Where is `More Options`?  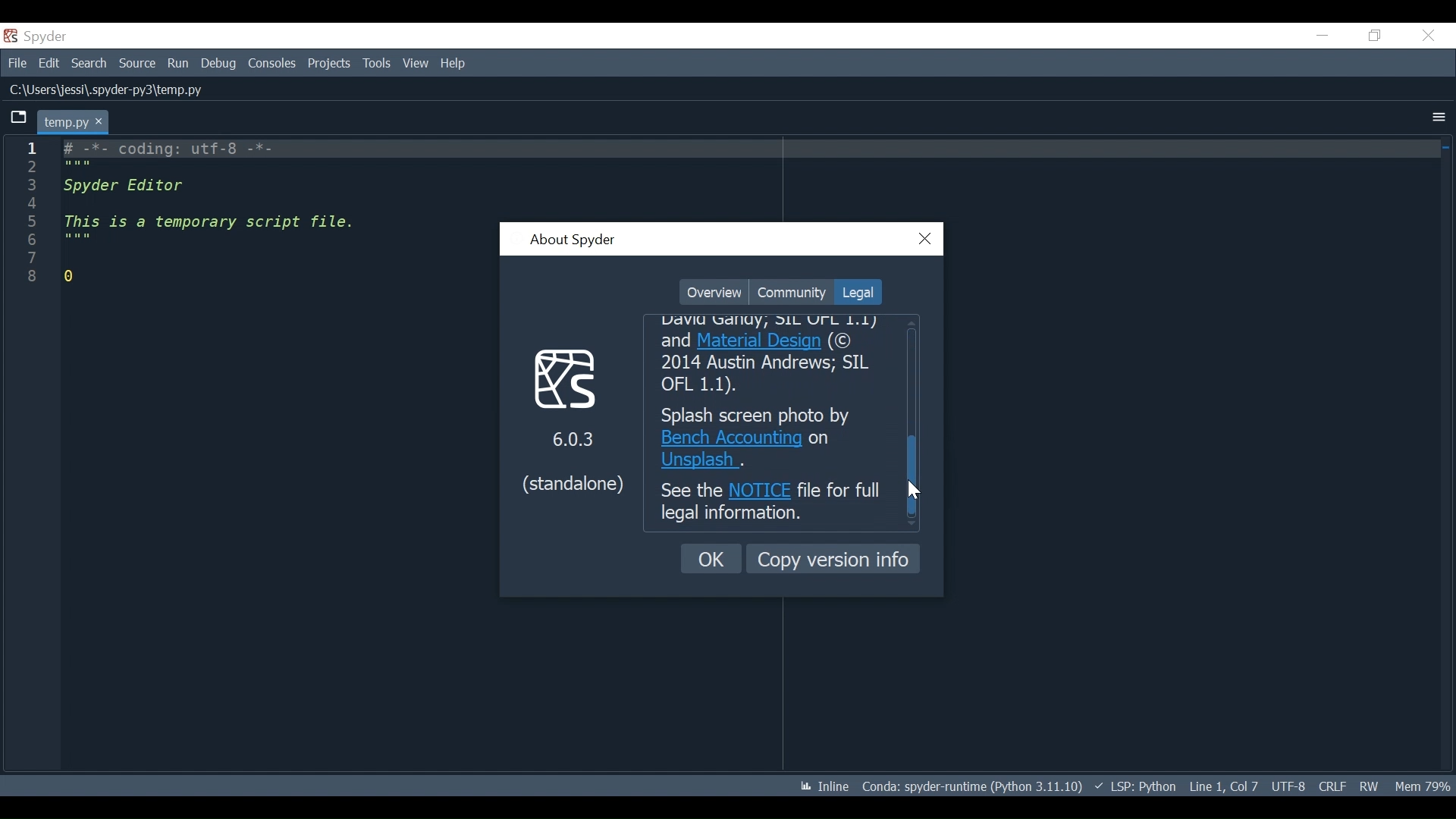 More Options is located at coordinates (1439, 118).